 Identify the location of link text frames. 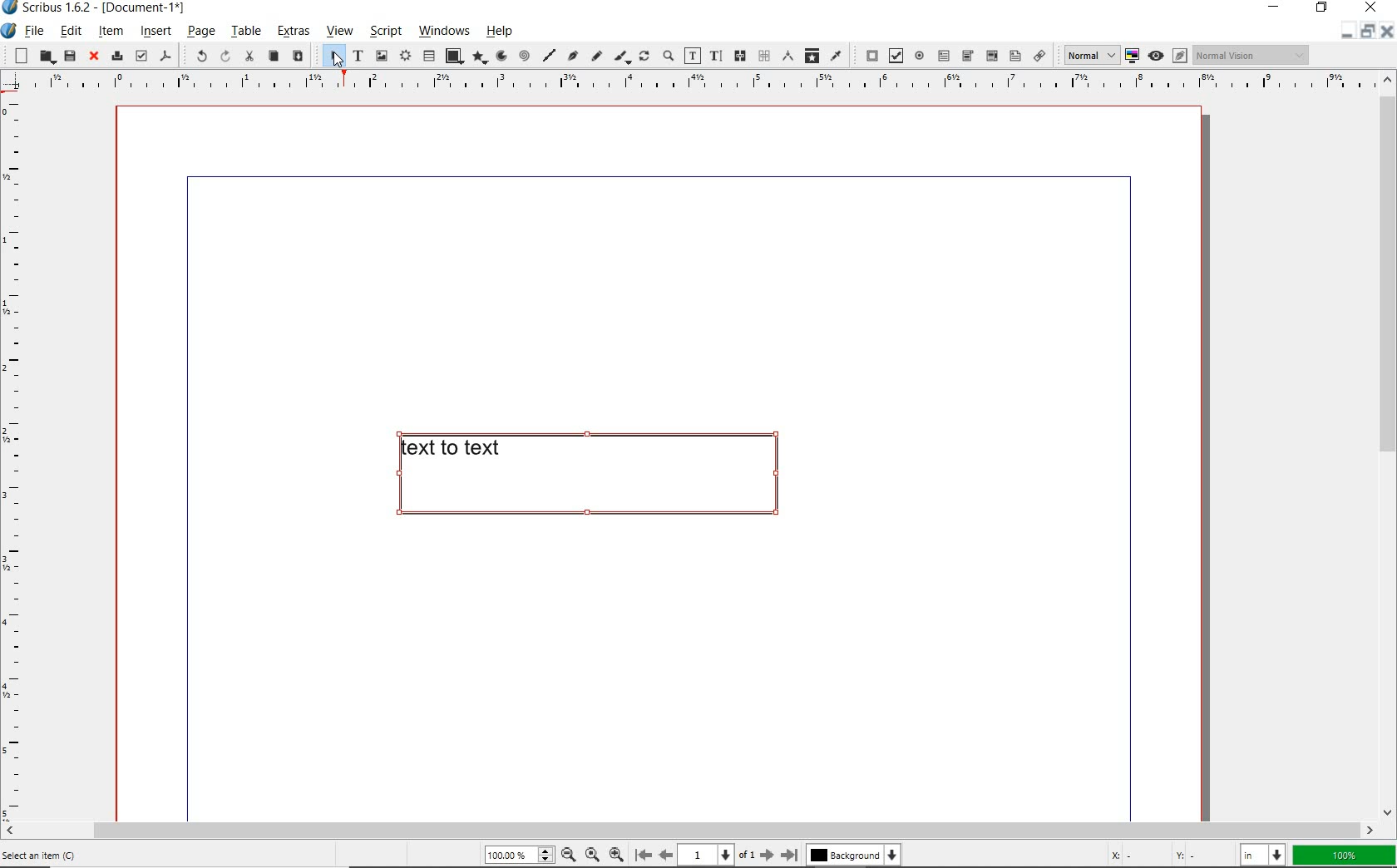
(738, 56).